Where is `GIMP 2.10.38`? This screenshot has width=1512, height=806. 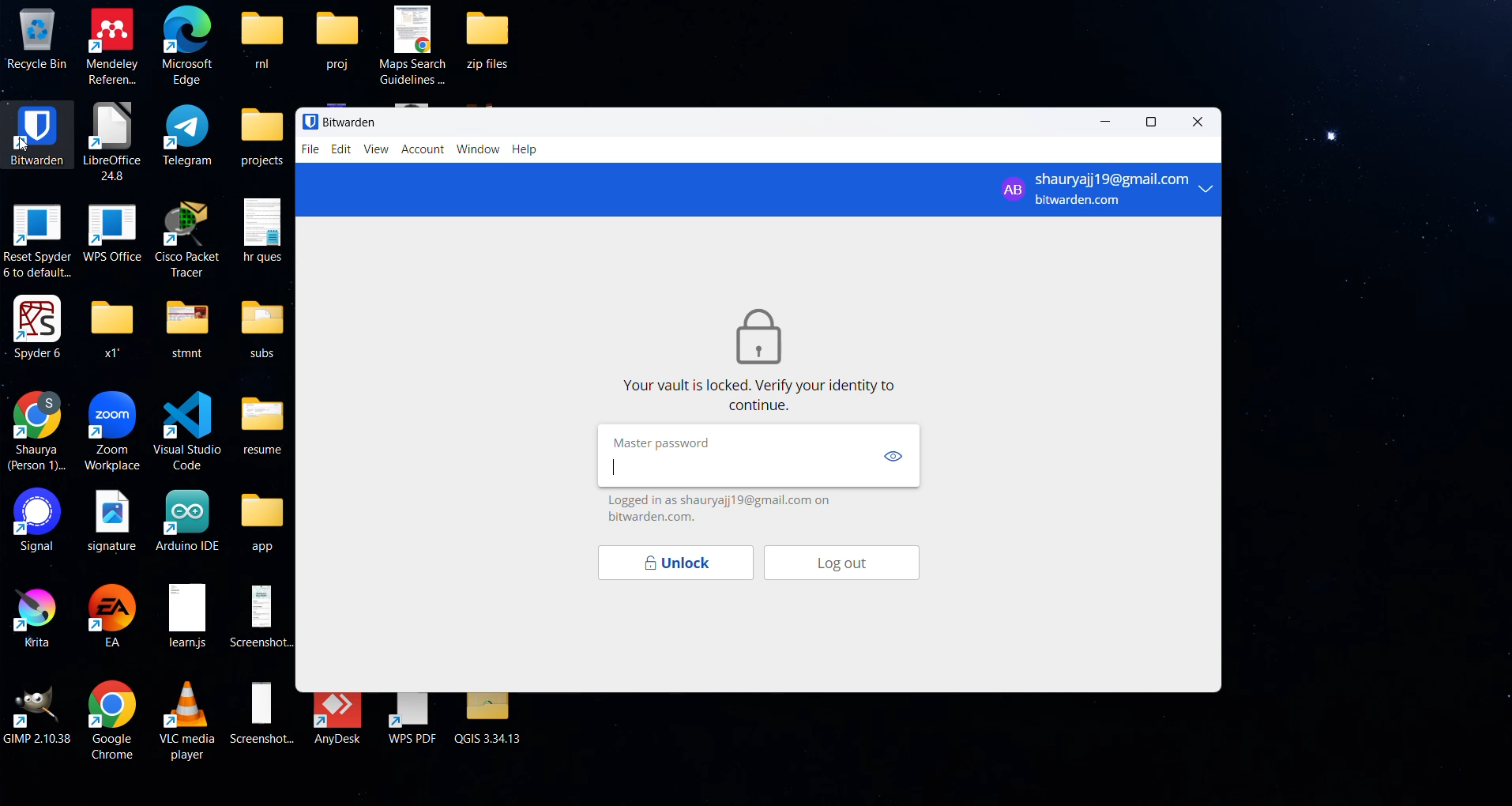
GIMP 2.10.38 is located at coordinates (39, 714).